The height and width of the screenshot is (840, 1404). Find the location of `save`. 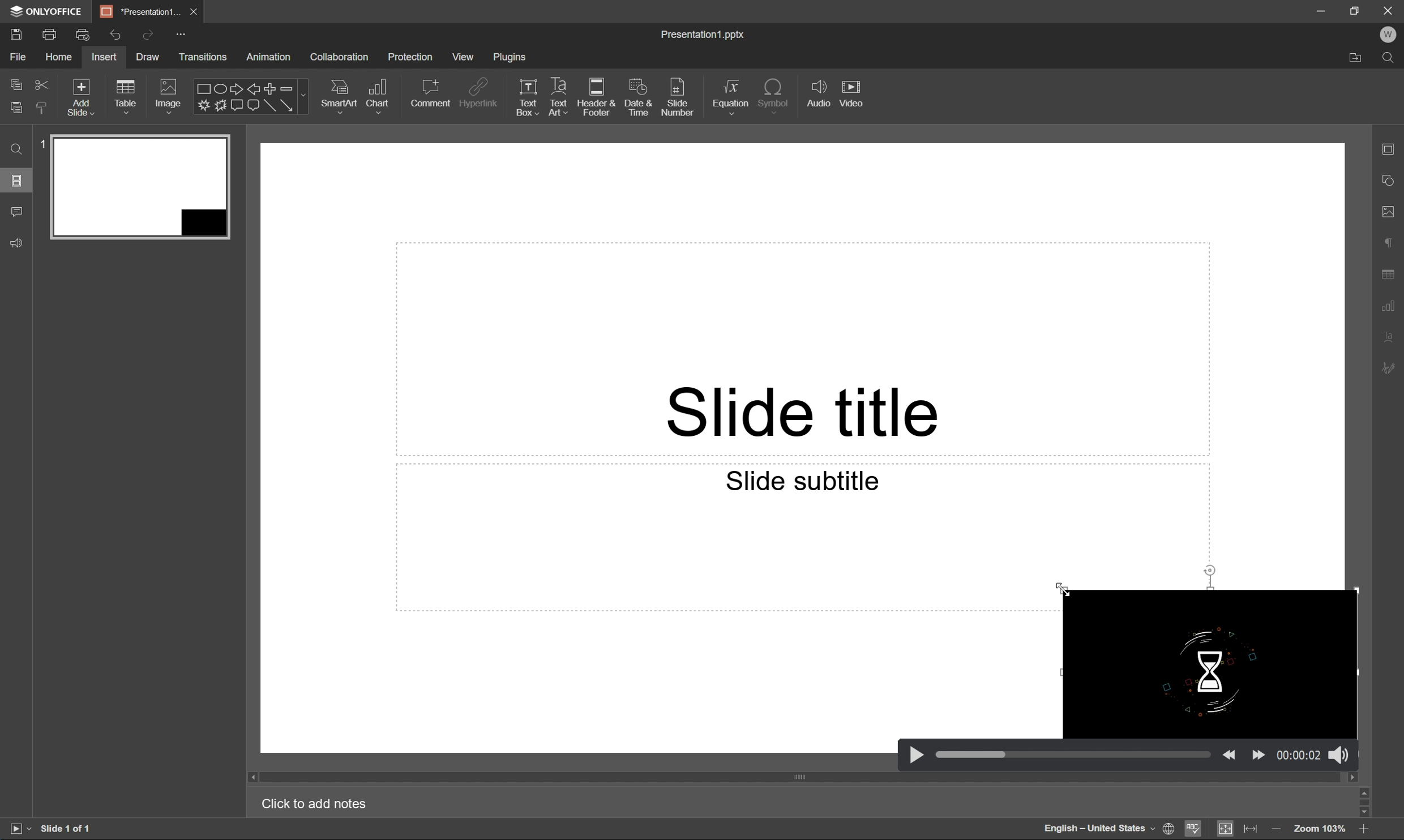

save is located at coordinates (14, 32).